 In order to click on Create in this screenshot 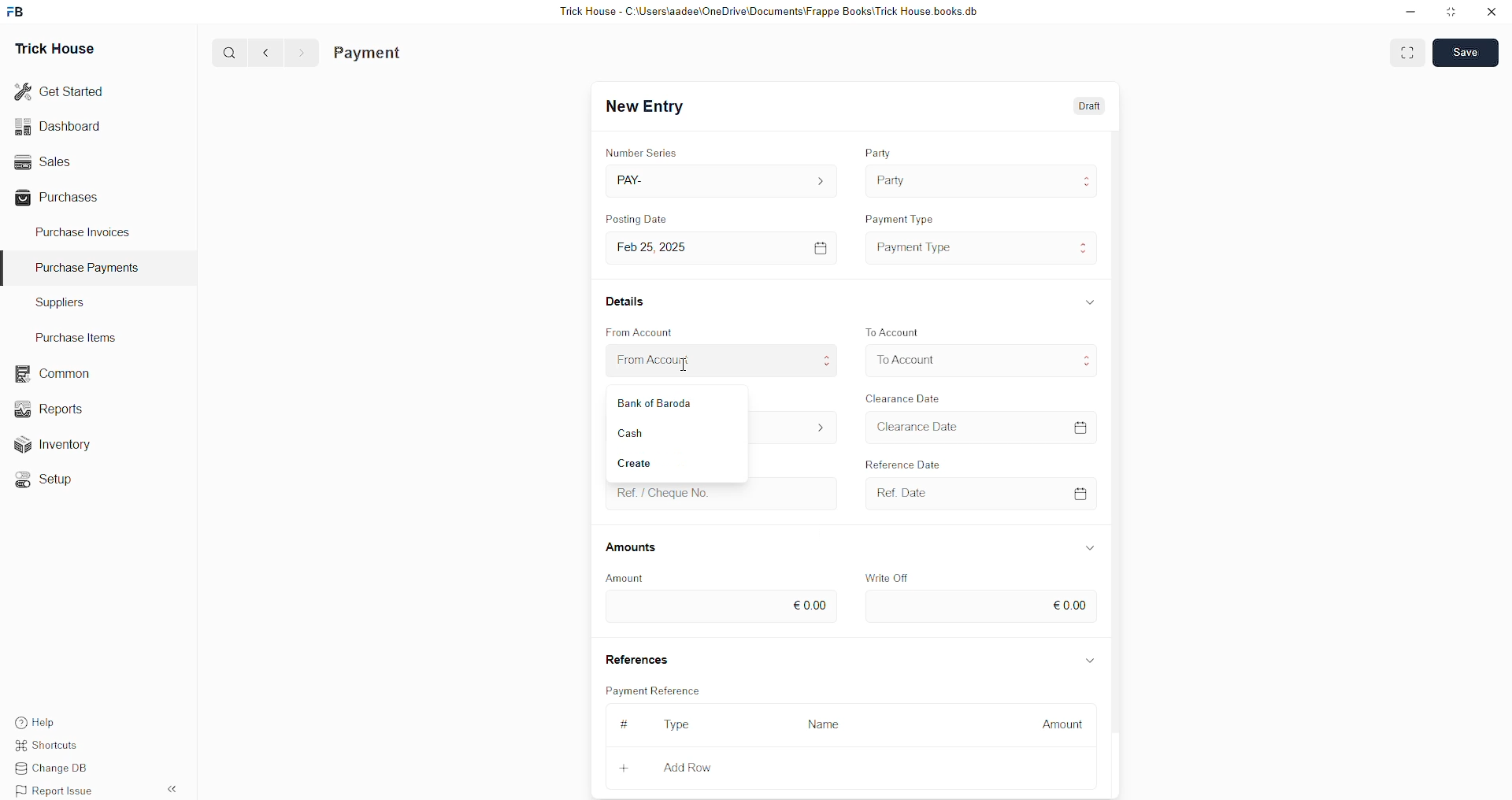, I will do `click(645, 461)`.